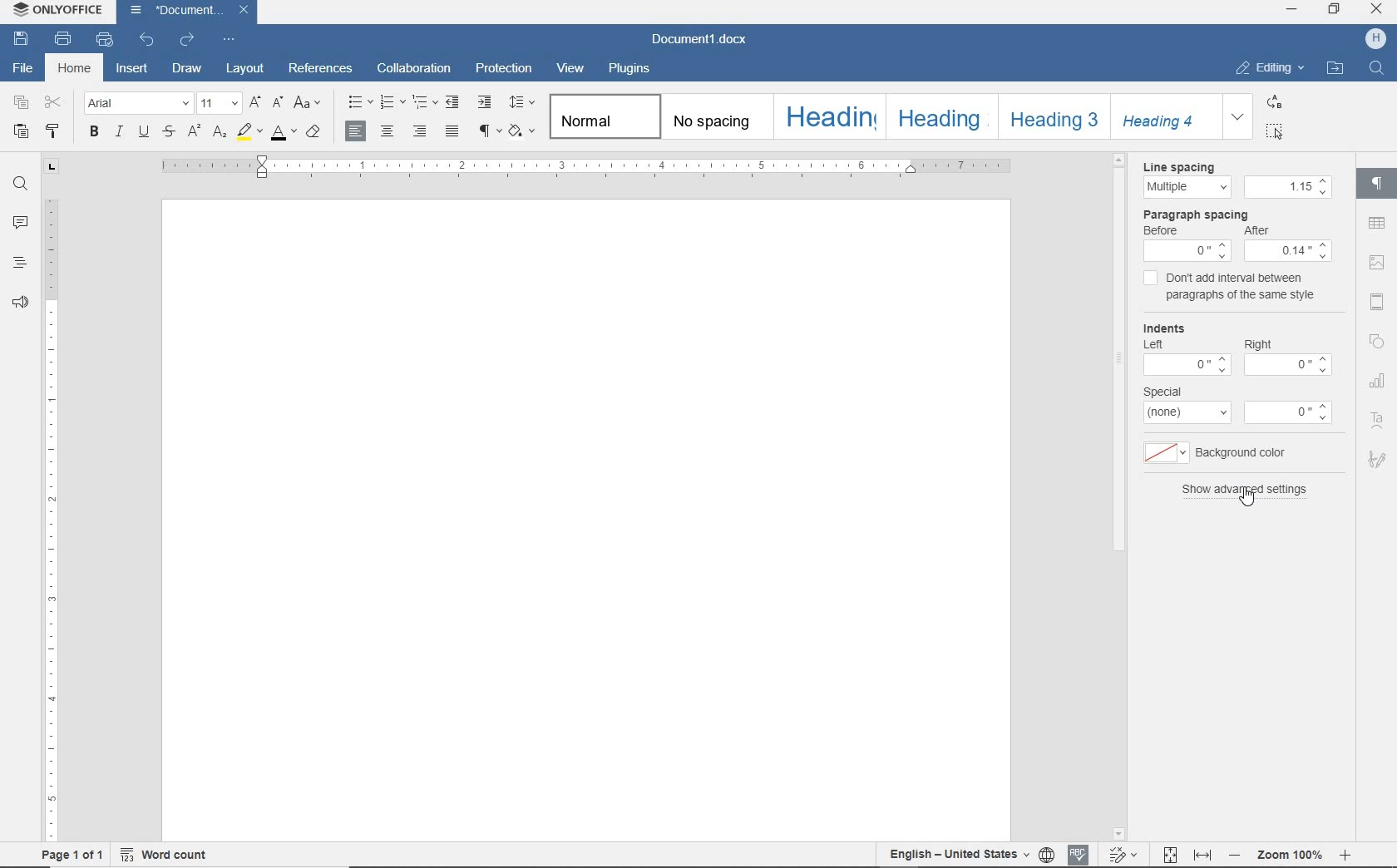 The height and width of the screenshot is (868, 1397). What do you see at coordinates (1378, 39) in the screenshot?
I see `H` at bounding box center [1378, 39].